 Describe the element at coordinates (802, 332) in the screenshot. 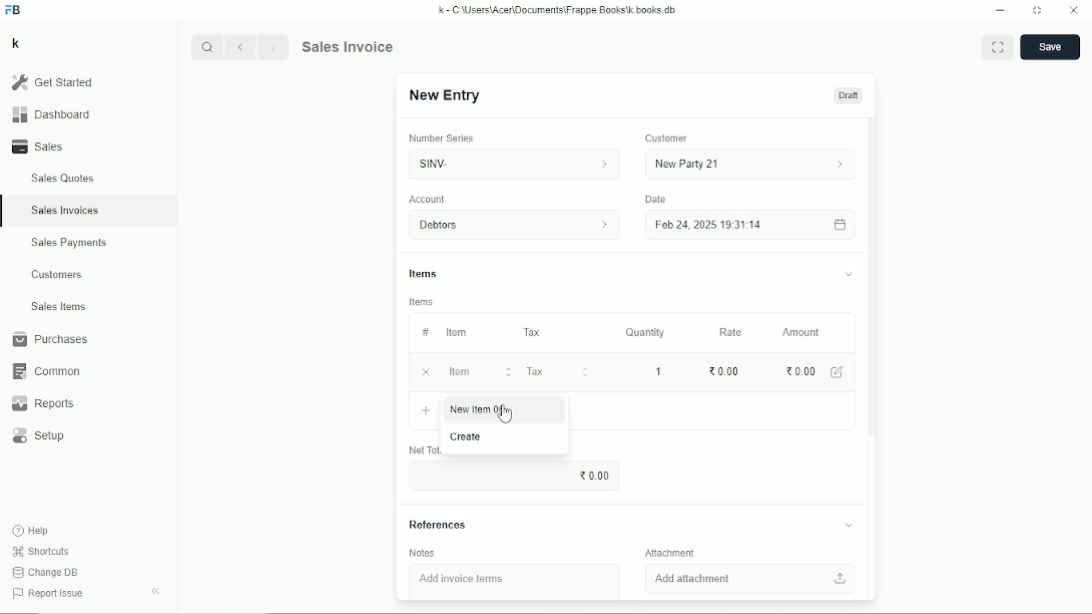

I see `Amount` at that location.